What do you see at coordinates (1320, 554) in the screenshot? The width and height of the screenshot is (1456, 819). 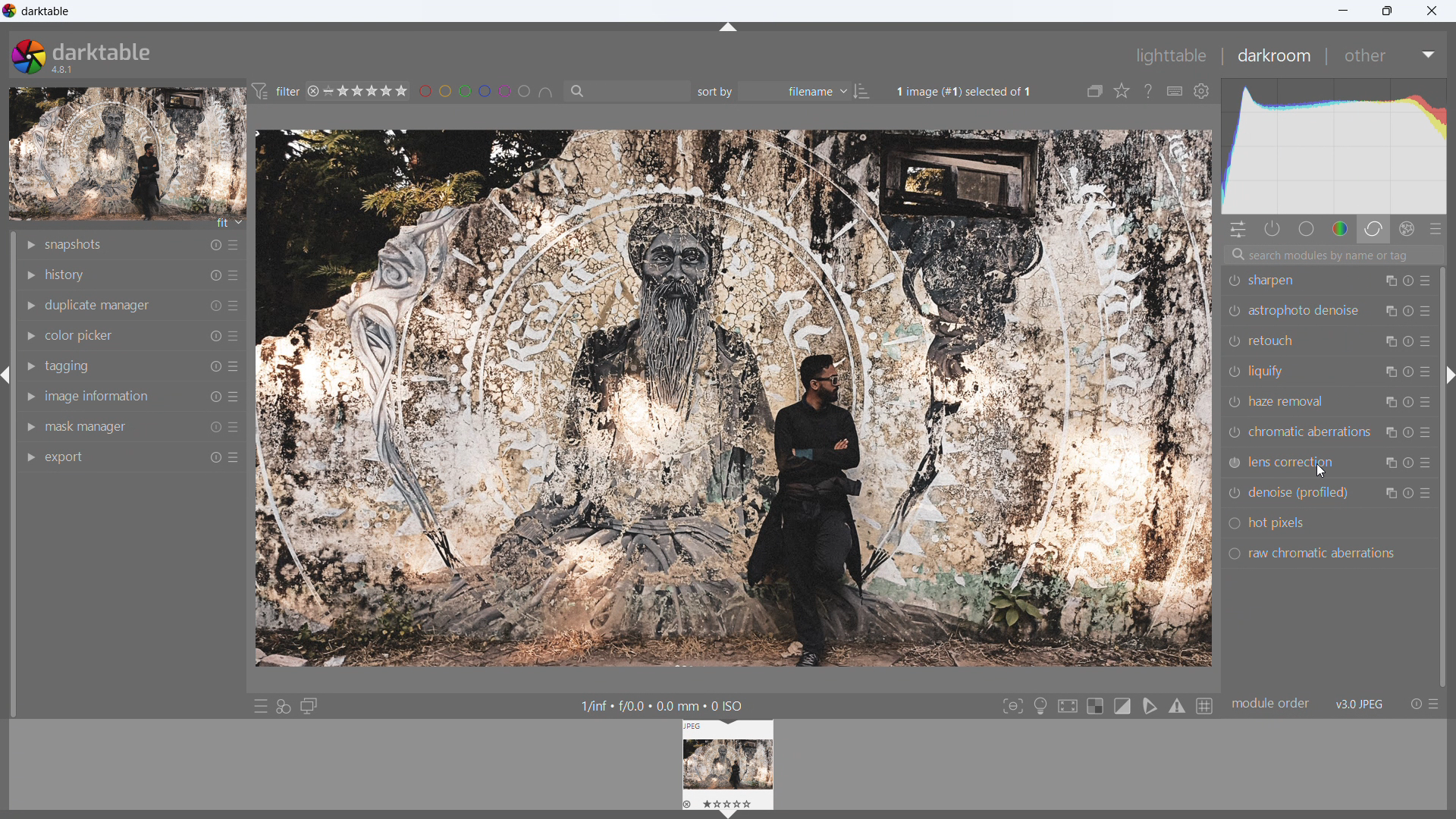 I see `raw chromatic aberrations` at bounding box center [1320, 554].